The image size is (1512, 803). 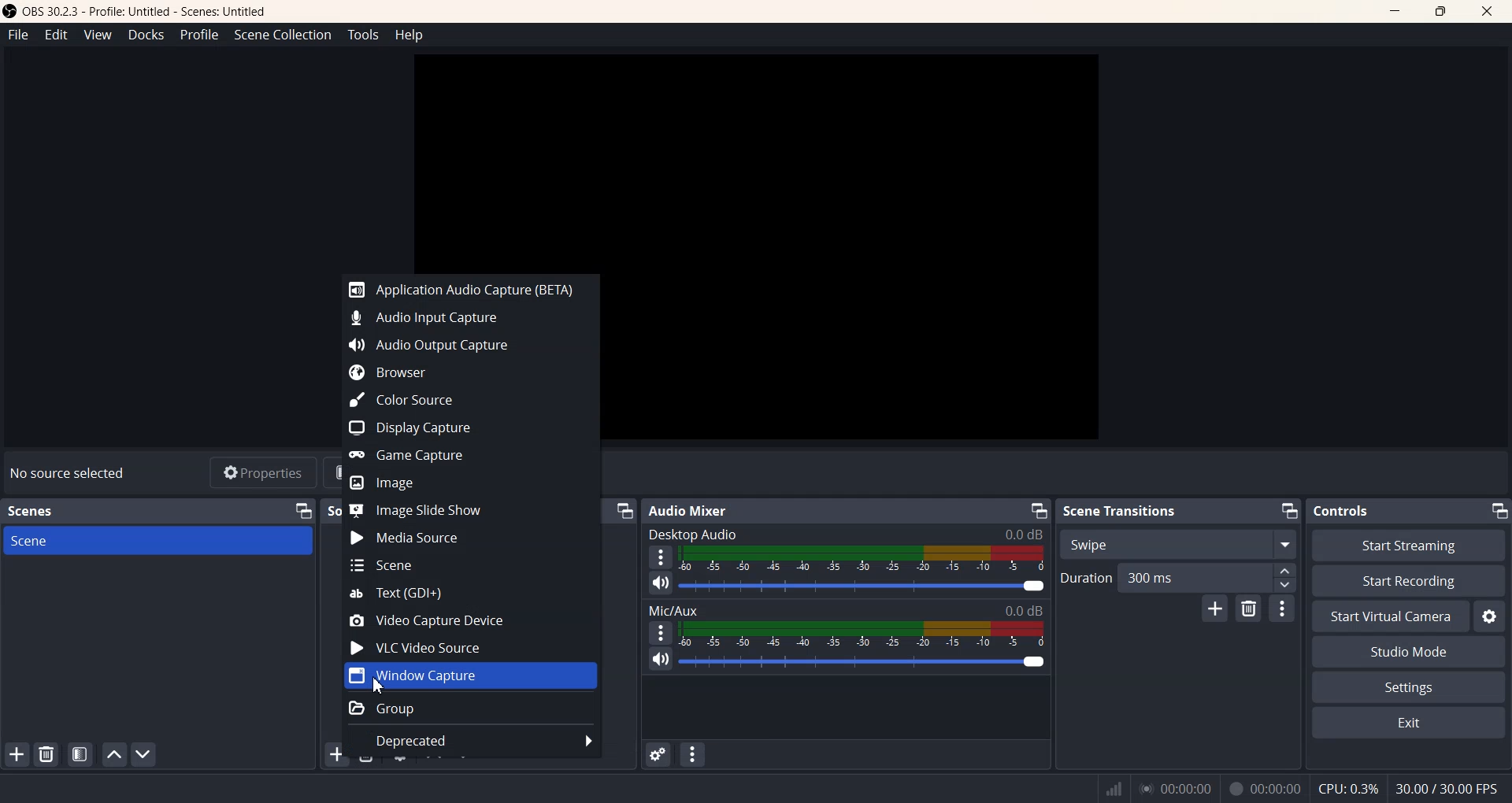 What do you see at coordinates (474, 741) in the screenshot?
I see `Deprecated` at bounding box center [474, 741].